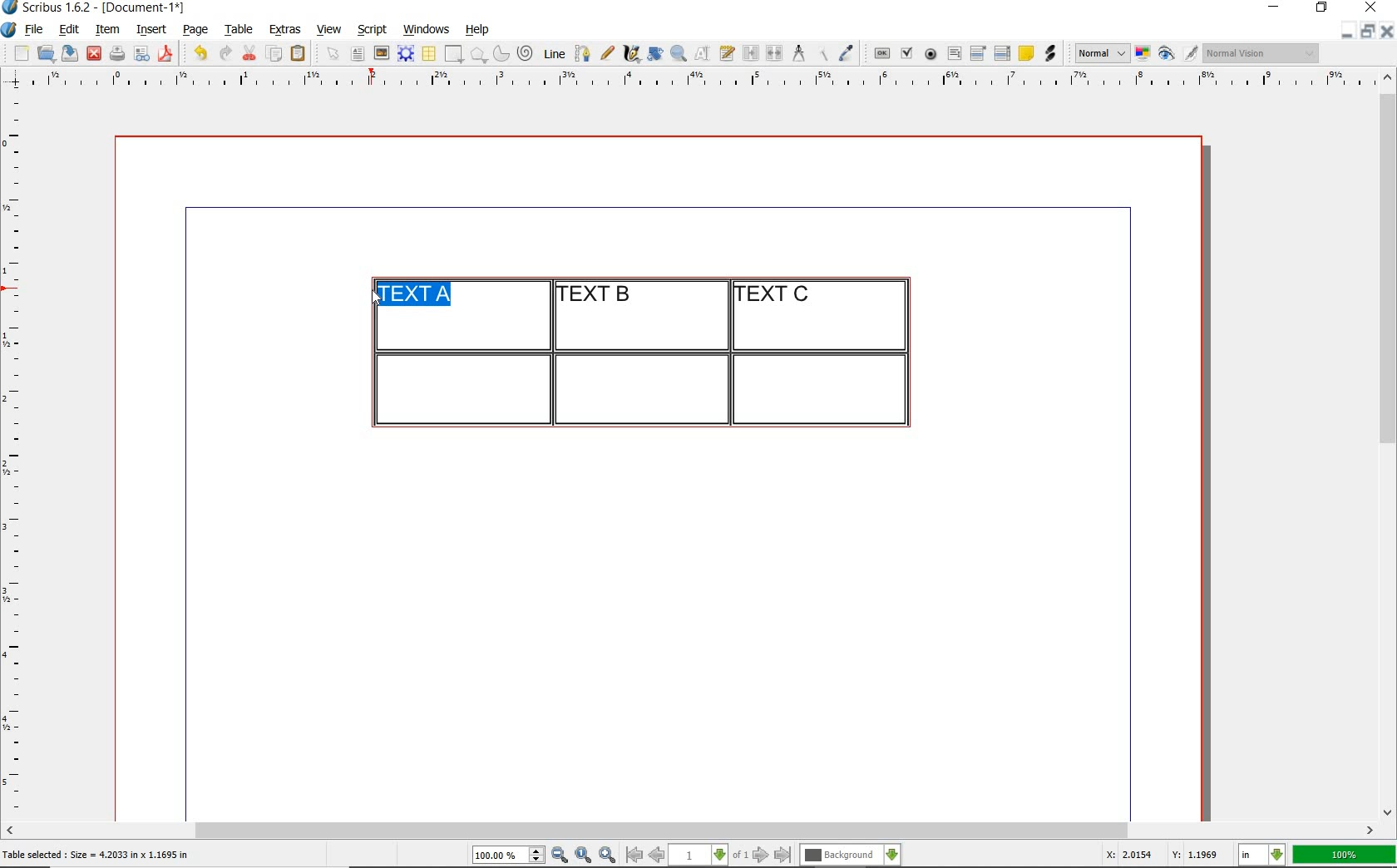 Image resolution: width=1397 pixels, height=868 pixels. Describe the element at coordinates (10, 30) in the screenshot. I see `system logo` at that location.